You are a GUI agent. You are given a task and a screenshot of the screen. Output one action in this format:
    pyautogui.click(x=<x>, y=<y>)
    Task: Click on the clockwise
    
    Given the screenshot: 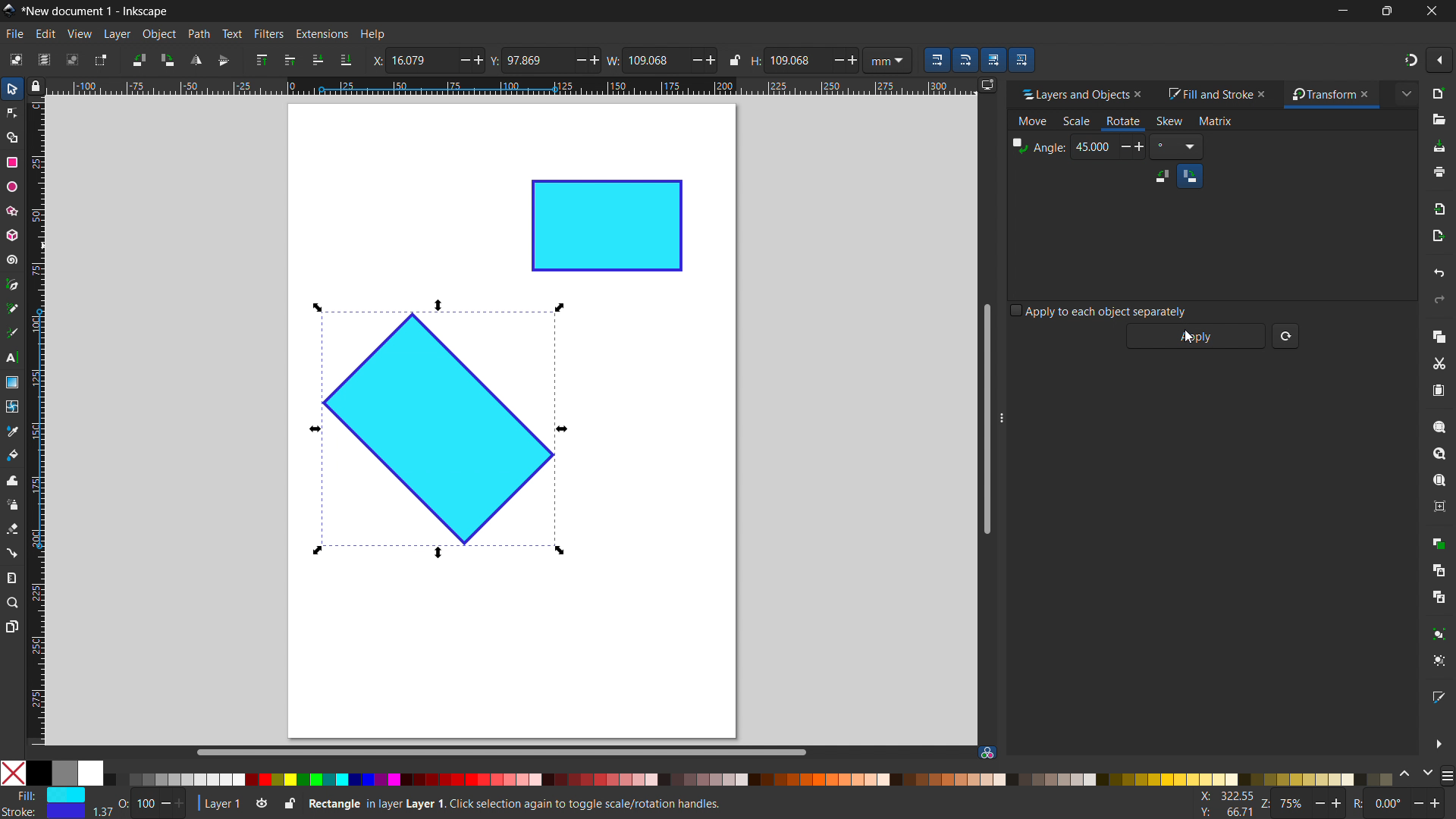 What is the action you would take?
    pyautogui.click(x=1190, y=175)
    